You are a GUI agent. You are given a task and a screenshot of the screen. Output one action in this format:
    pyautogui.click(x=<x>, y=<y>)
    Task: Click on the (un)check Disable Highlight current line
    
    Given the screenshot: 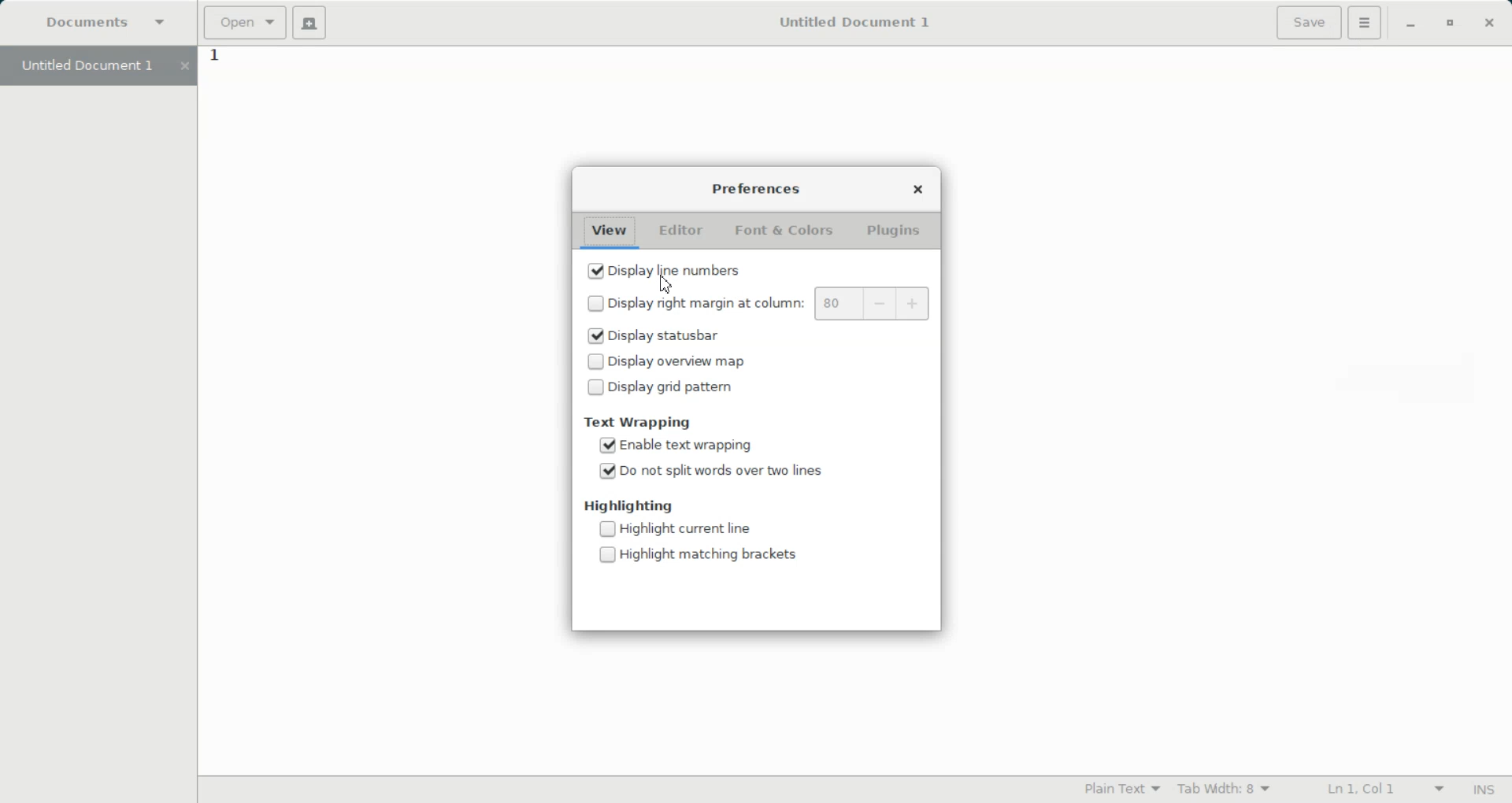 What is the action you would take?
    pyautogui.click(x=676, y=528)
    